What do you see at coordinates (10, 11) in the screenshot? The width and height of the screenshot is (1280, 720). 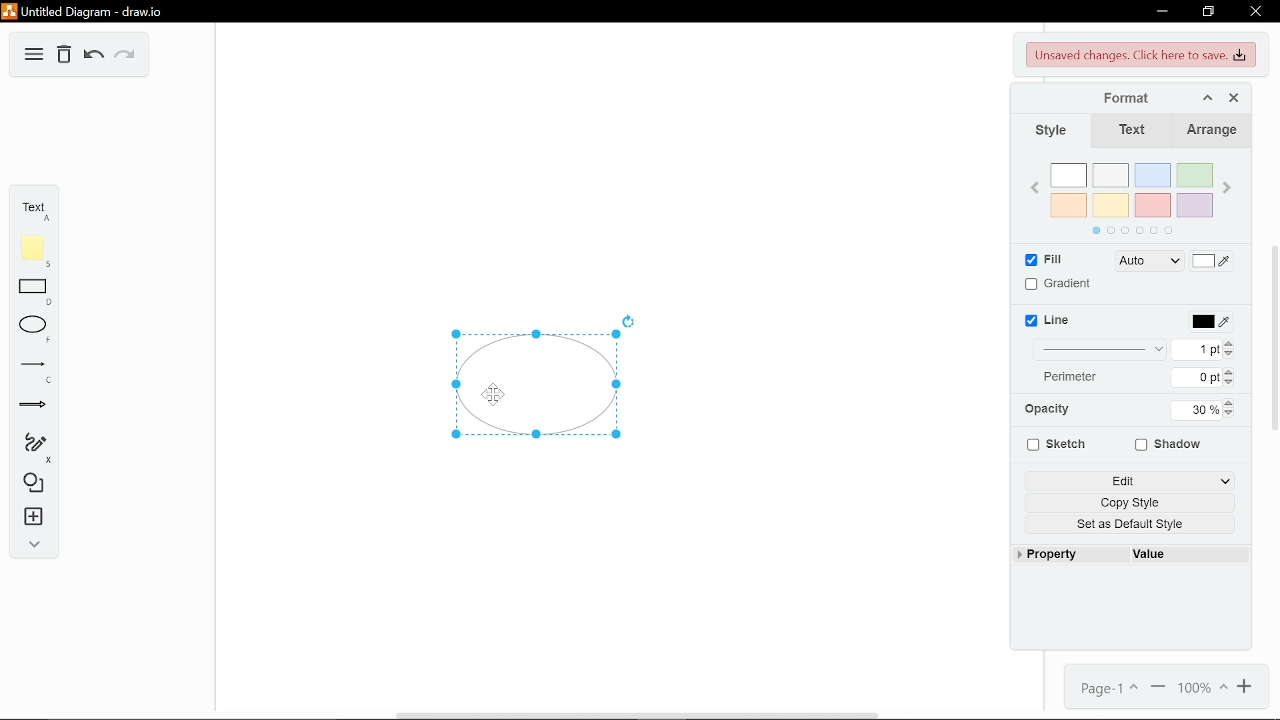 I see `logo` at bounding box center [10, 11].